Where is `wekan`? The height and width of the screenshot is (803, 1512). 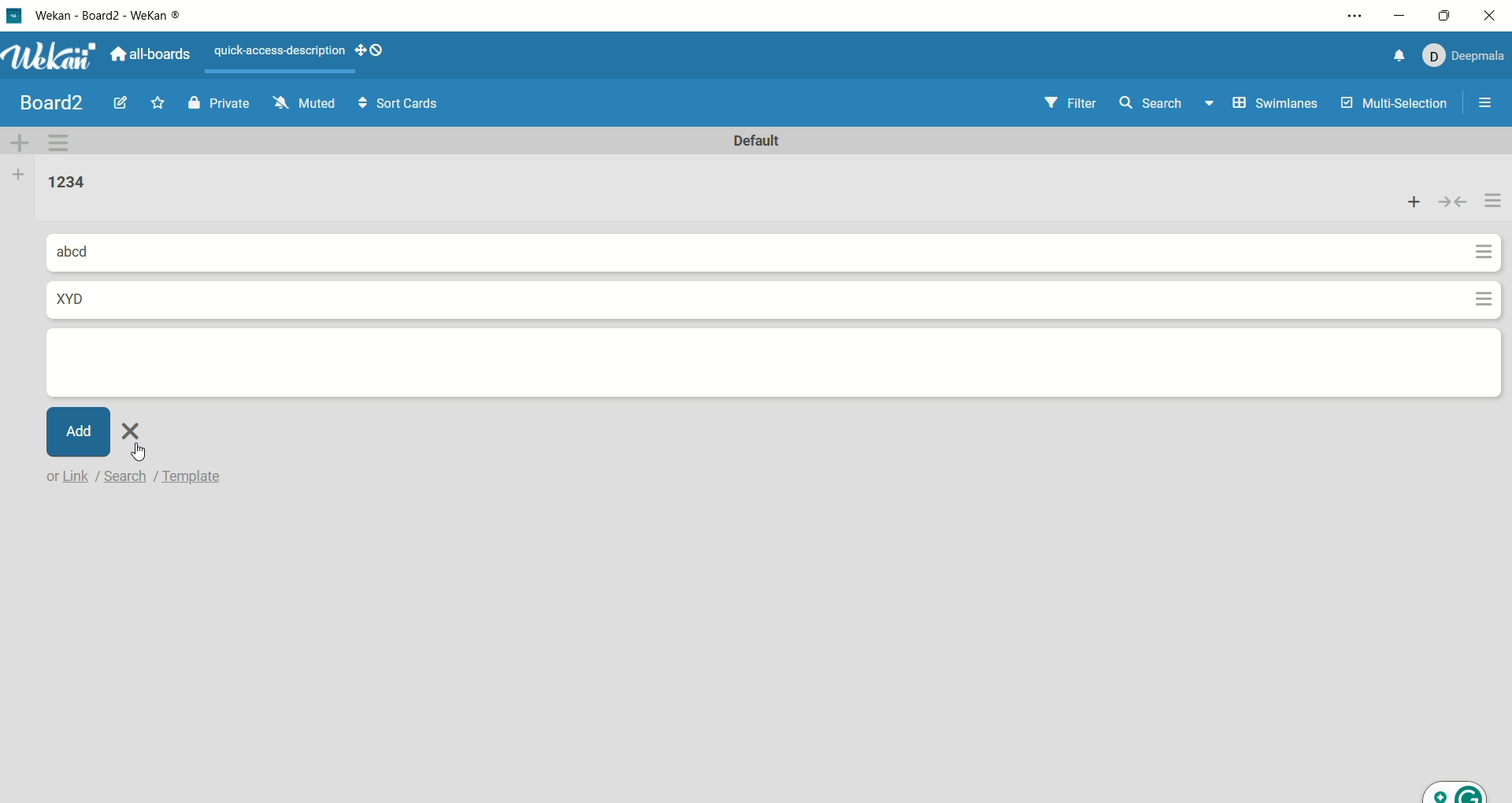
wekan is located at coordinates (54, 56).